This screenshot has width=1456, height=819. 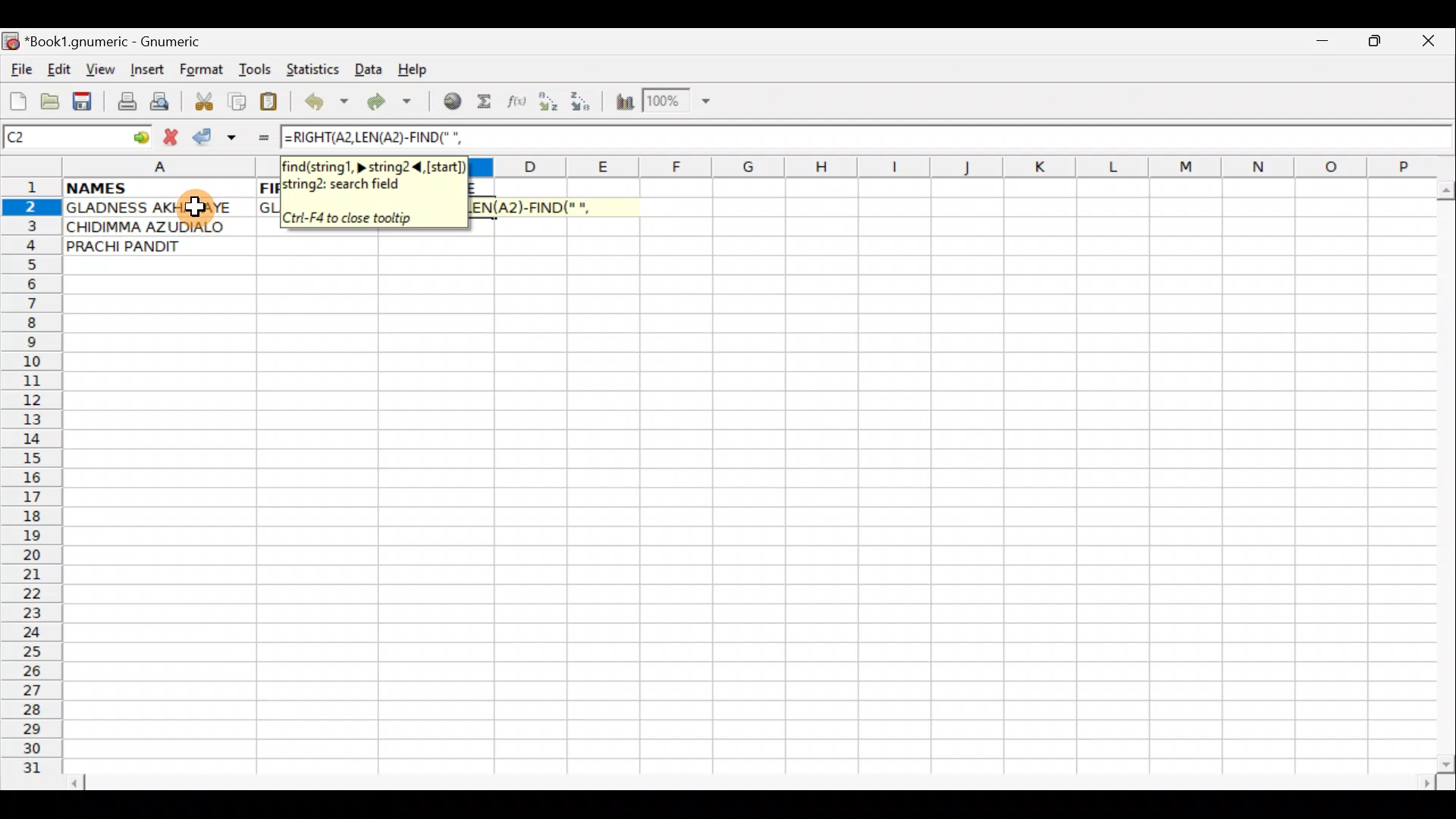 I want to click on NAMES, so click(x=142, y=187).